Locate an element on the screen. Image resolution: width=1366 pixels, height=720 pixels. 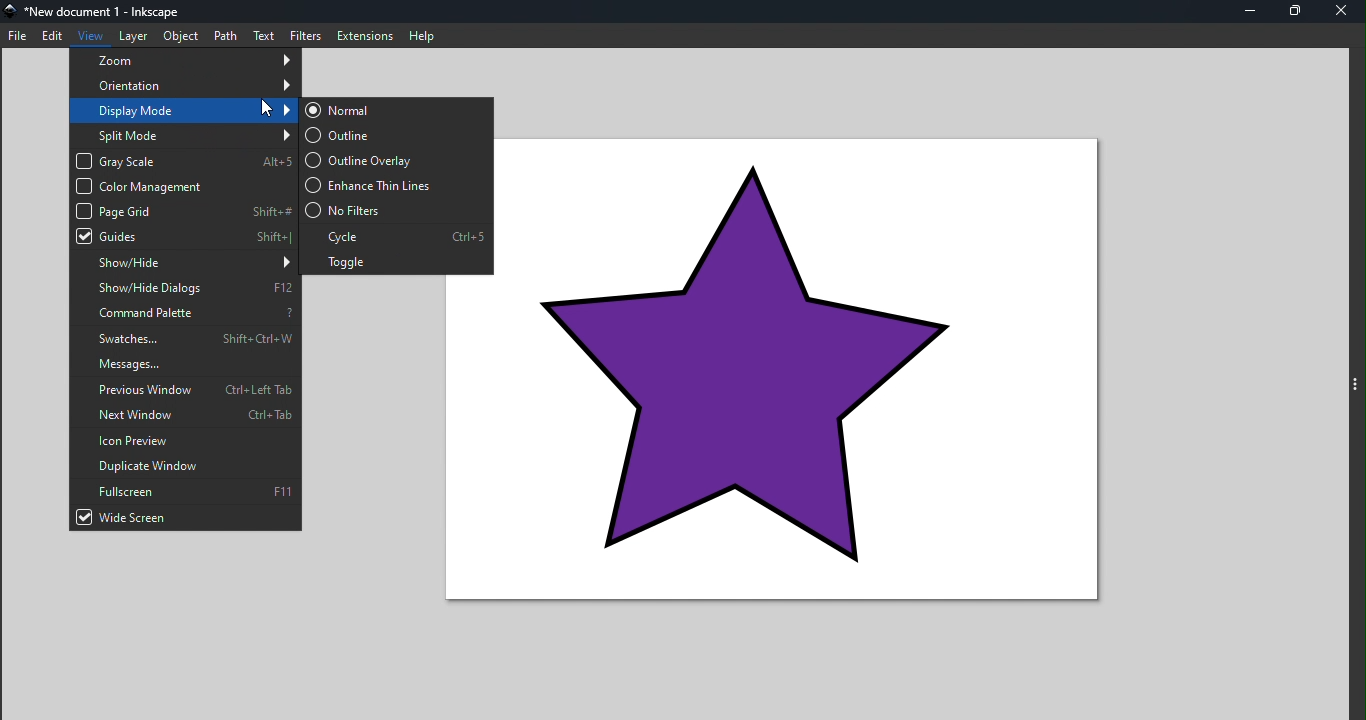
Filters is located at coordinates (301, 37).